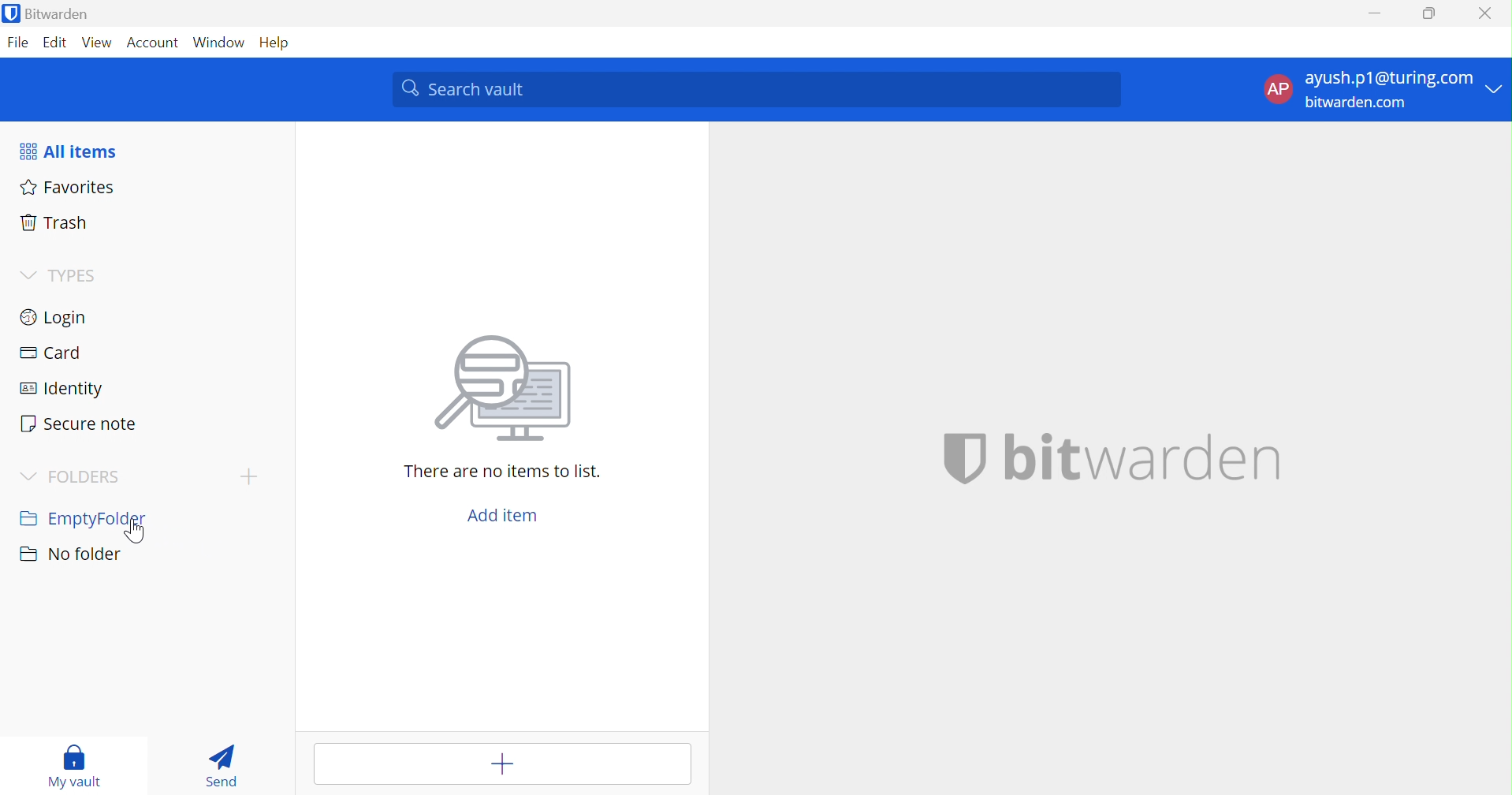 This screenshot has width=1512, height=795. I want to click on Login, so click(54, 315).